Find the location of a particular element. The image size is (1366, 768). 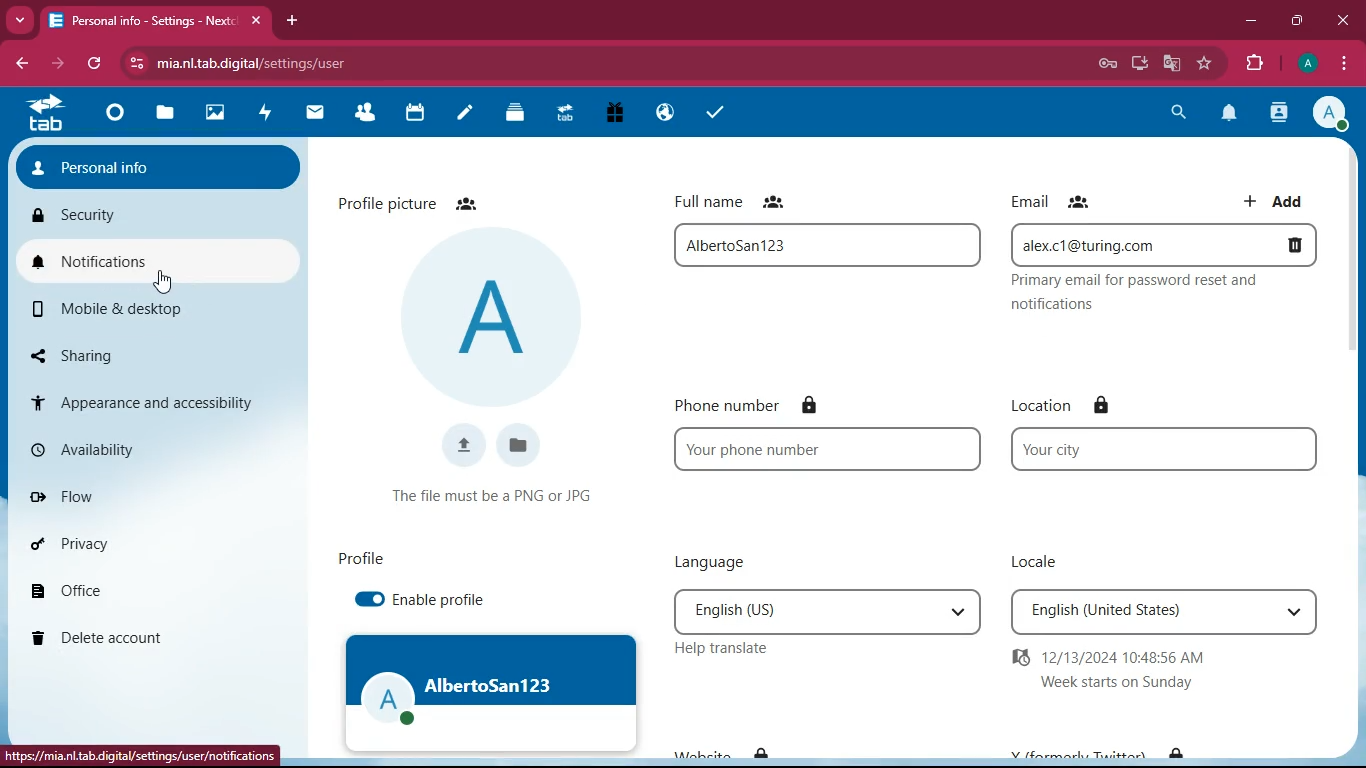

add tab is located at coordinates (295, 22).